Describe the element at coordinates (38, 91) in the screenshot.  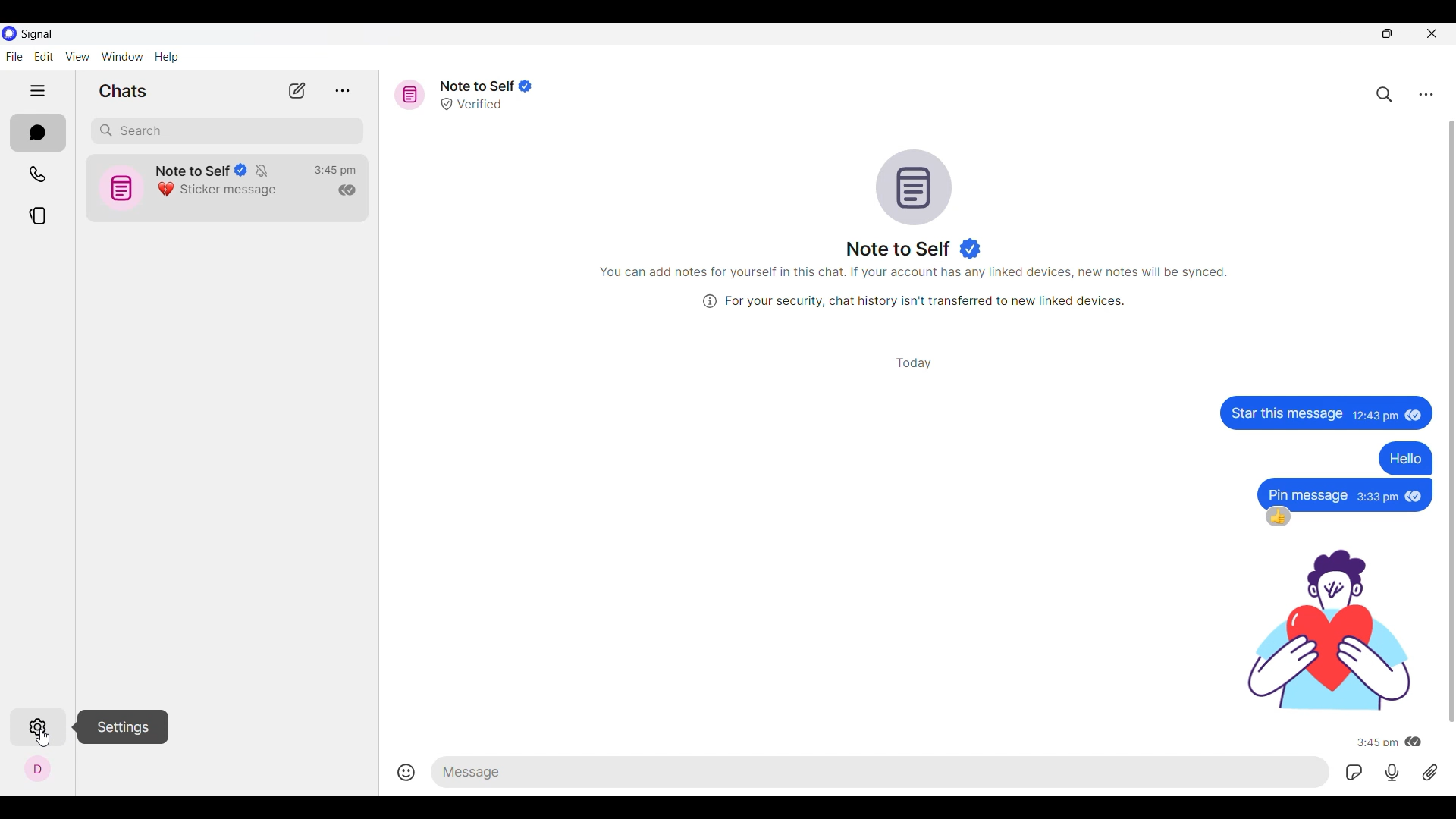
I see `Show/Hide left side panel` at that location.